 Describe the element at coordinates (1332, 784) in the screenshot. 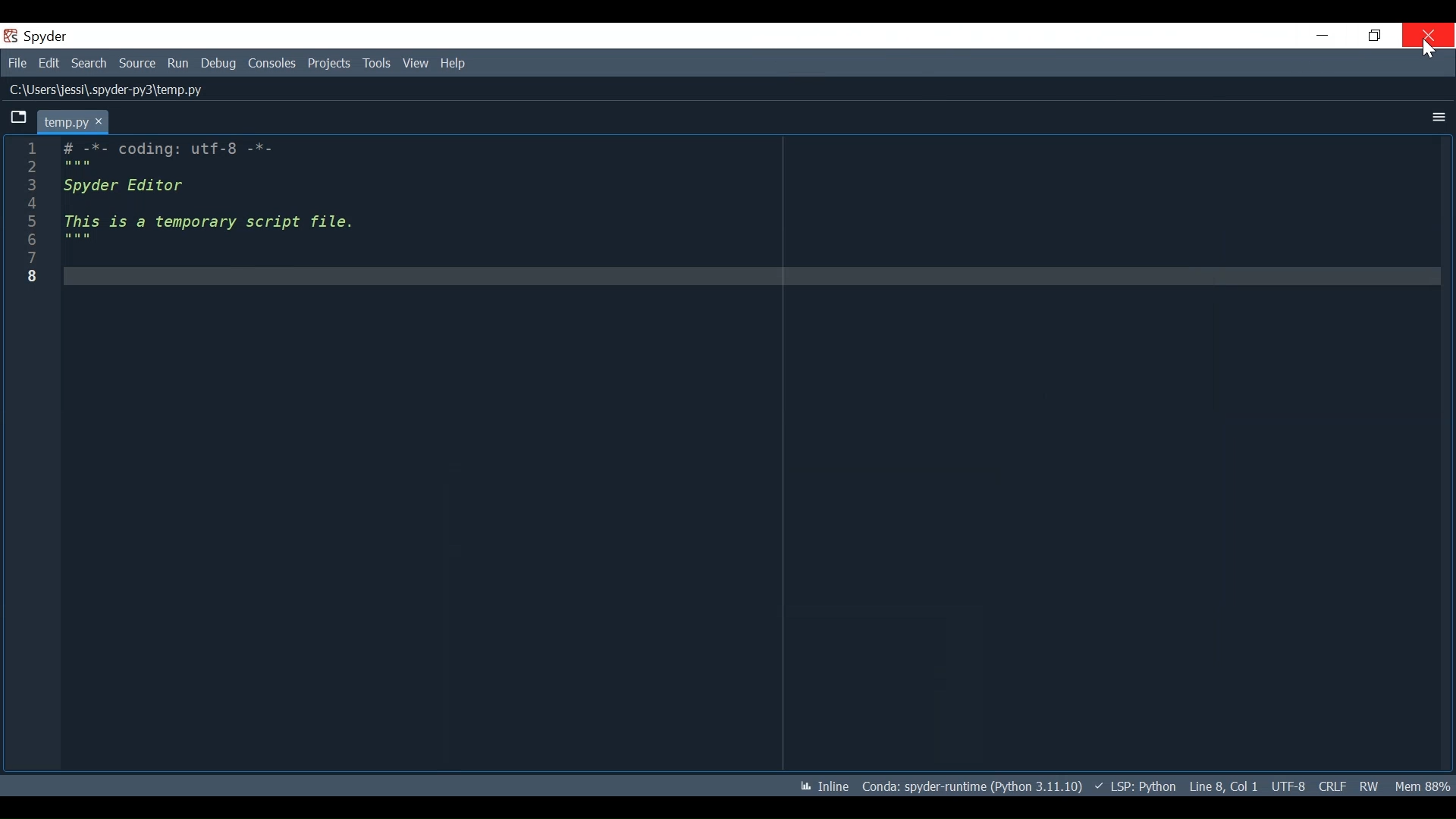

I see `CRLF` at that location.